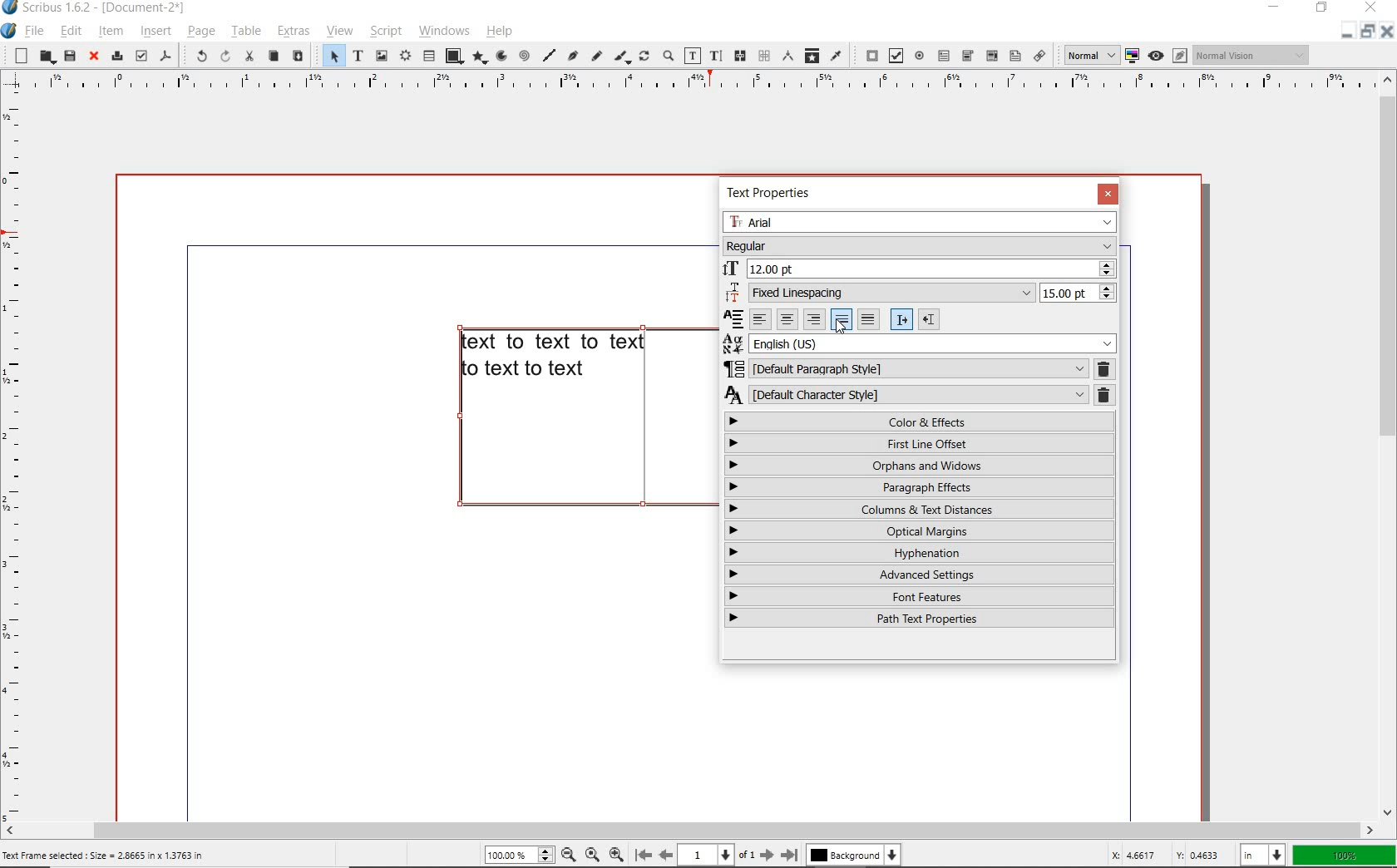 The image size is (1397, 868). I want to click on table, so click(429, 55).